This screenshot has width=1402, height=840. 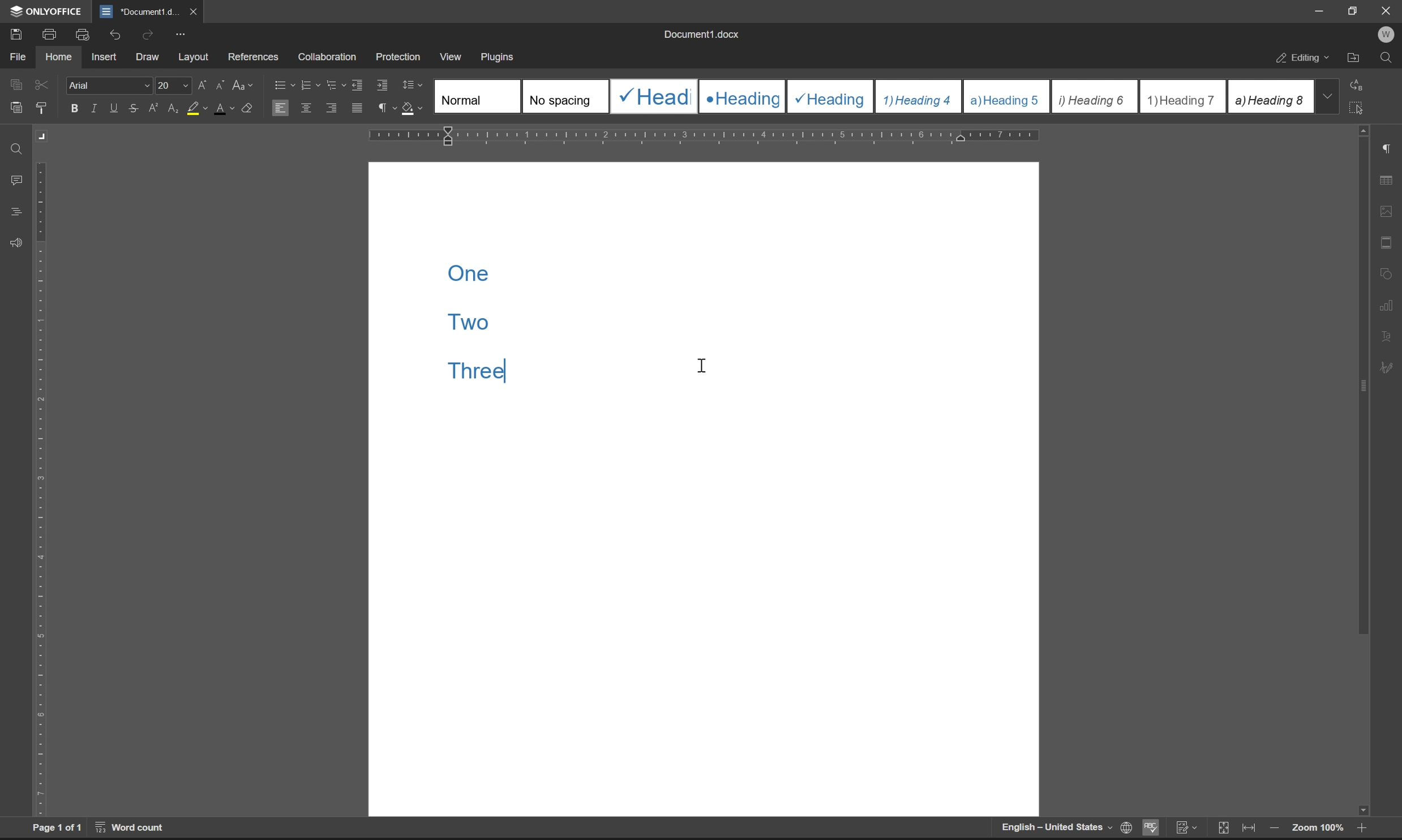 What do you see at coordinates (18, 150) in the screenshot?
I see `find` at bounding box center [18, 150].